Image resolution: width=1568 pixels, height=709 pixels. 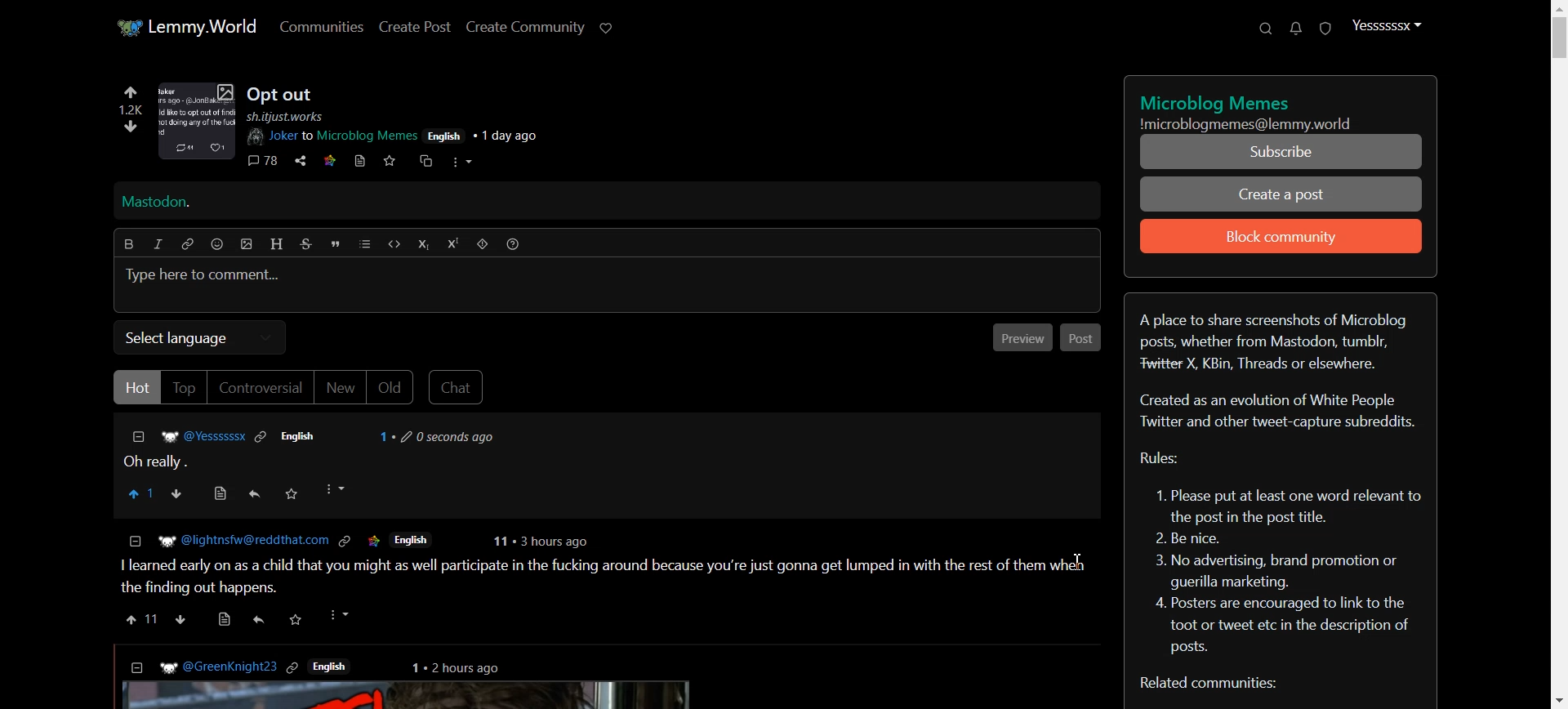 I want to click on cross share, so click(x=430, y=161).